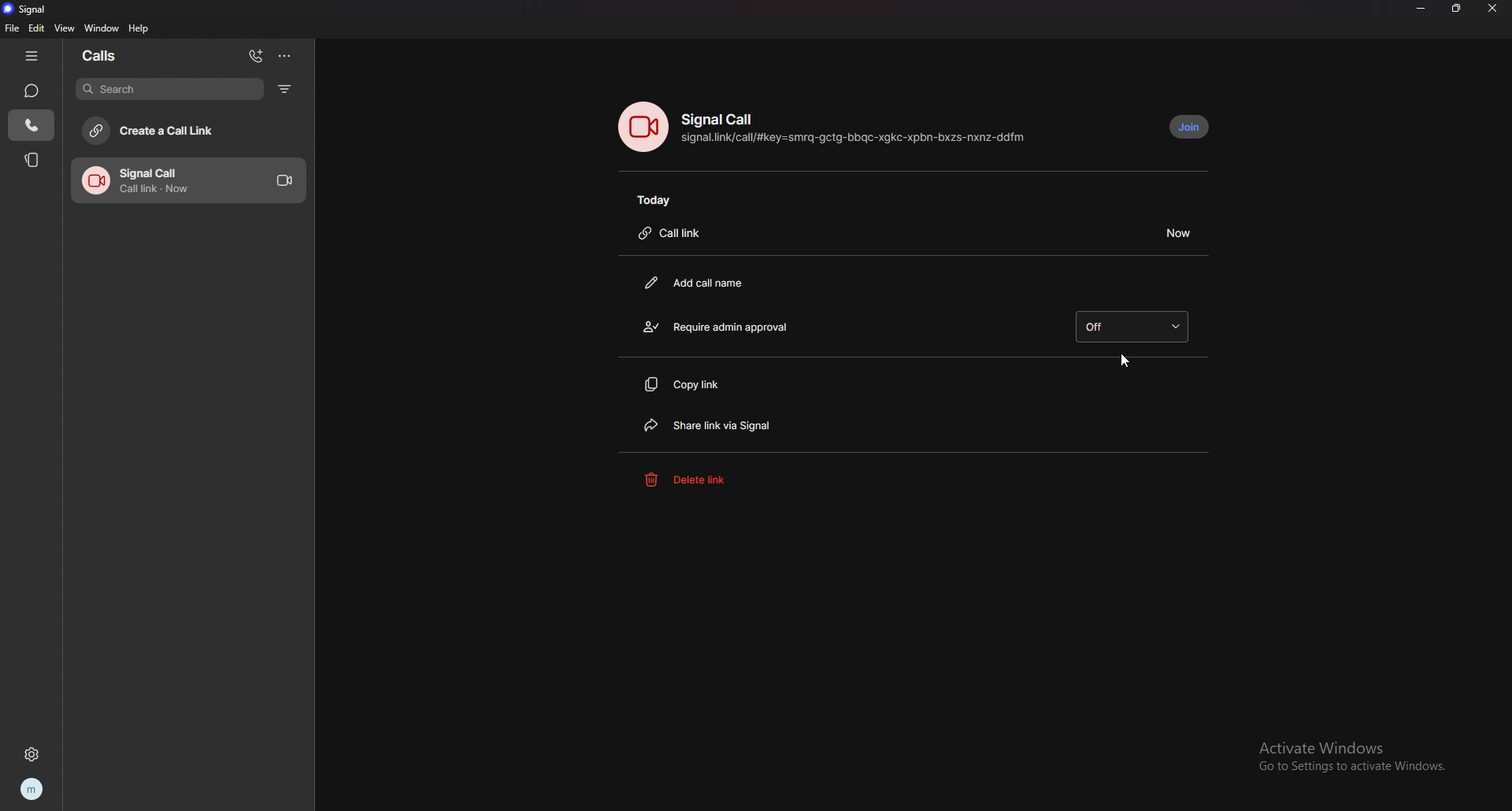 The width and height of the screenshot is (1512, 811). Describe the element at coordinates (1495, 9) in the screenshot. I see `close` at that location.